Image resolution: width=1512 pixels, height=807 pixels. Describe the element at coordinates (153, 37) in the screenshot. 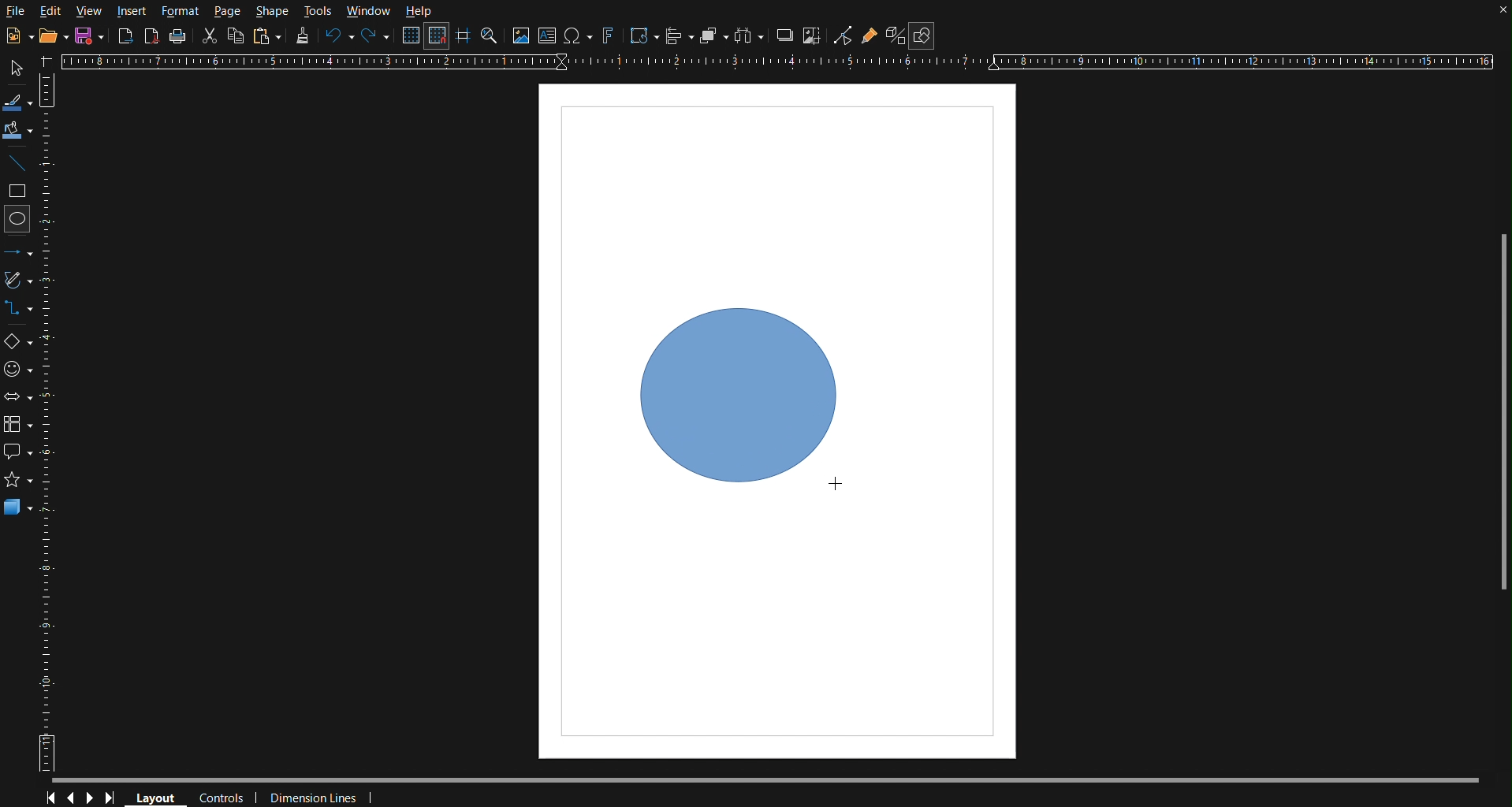

I see `Export as PDF` at that location.